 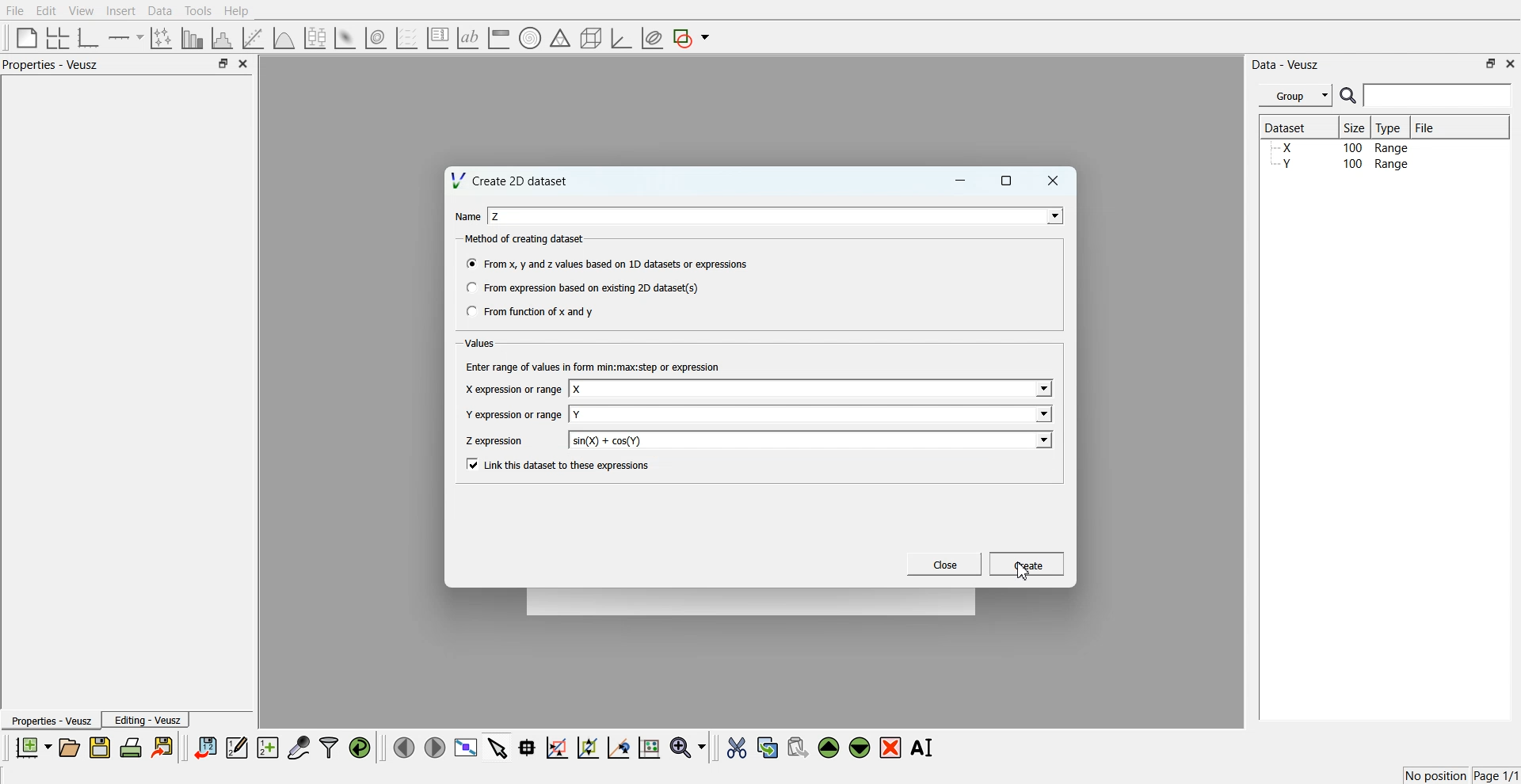 I want to click on New document, so click(x=32, y=747).